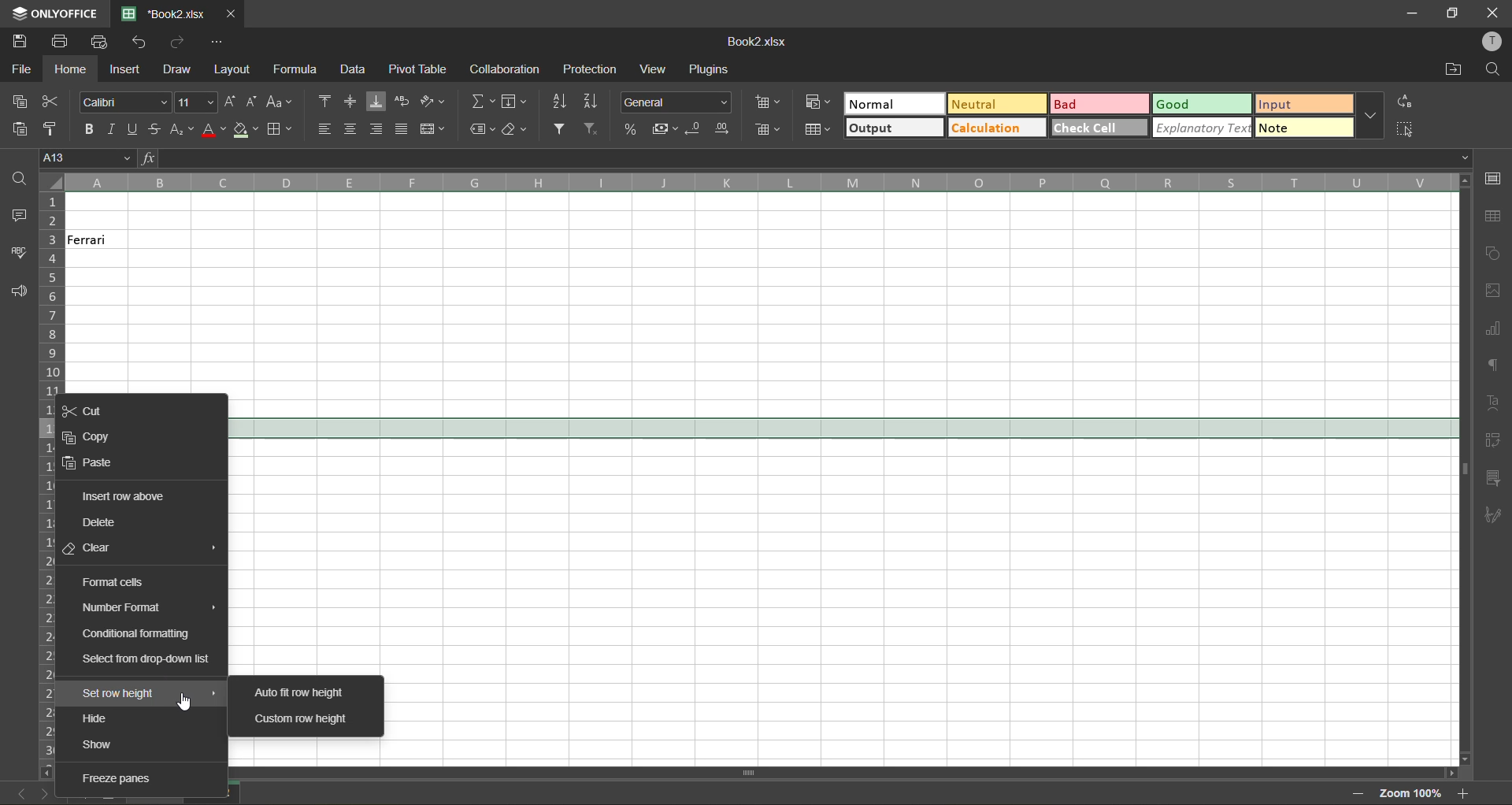  What do you see at coordinates (184, 703) in the screenshot?
I see `Cursor` at bounding box center [184, 703].